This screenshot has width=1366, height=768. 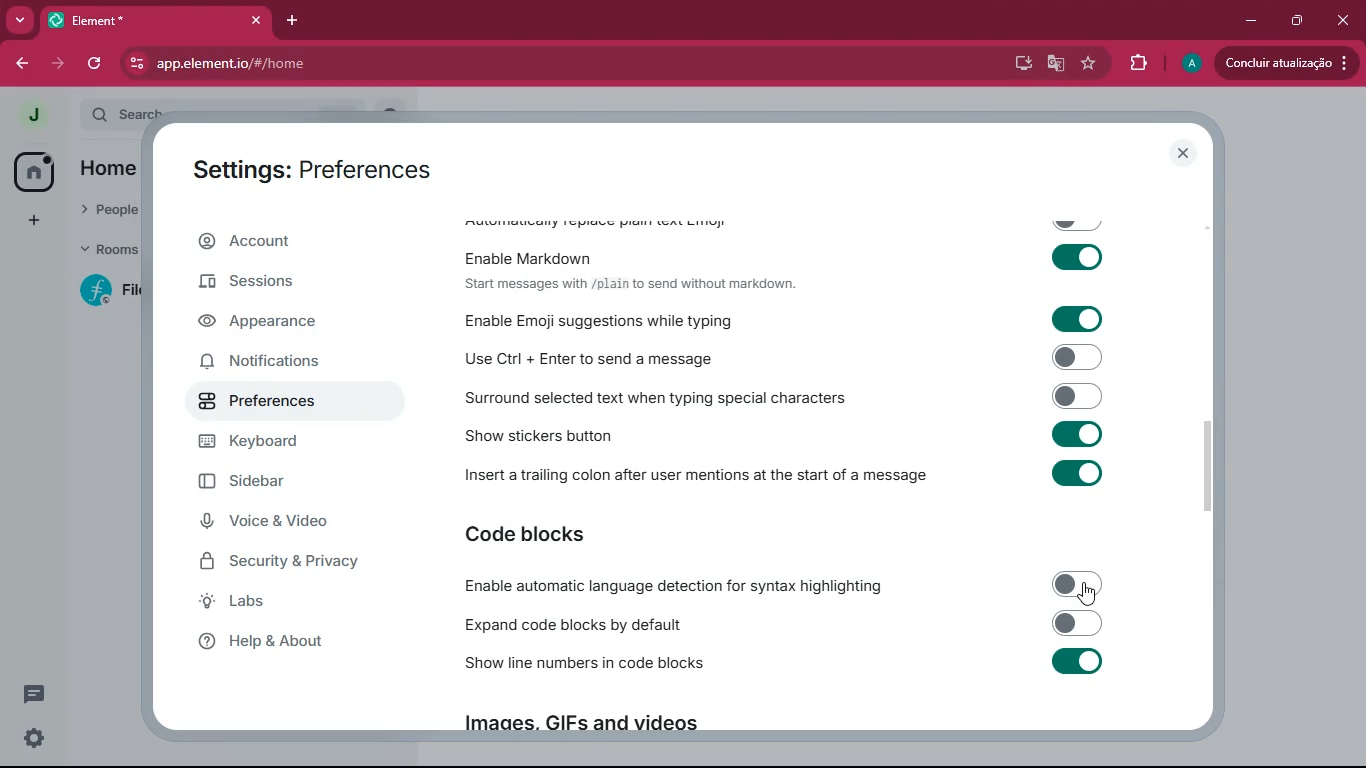 What do you see at coordinates (60, 63) in the screenshot?
I see `forward` at bounding box center [60, 63].